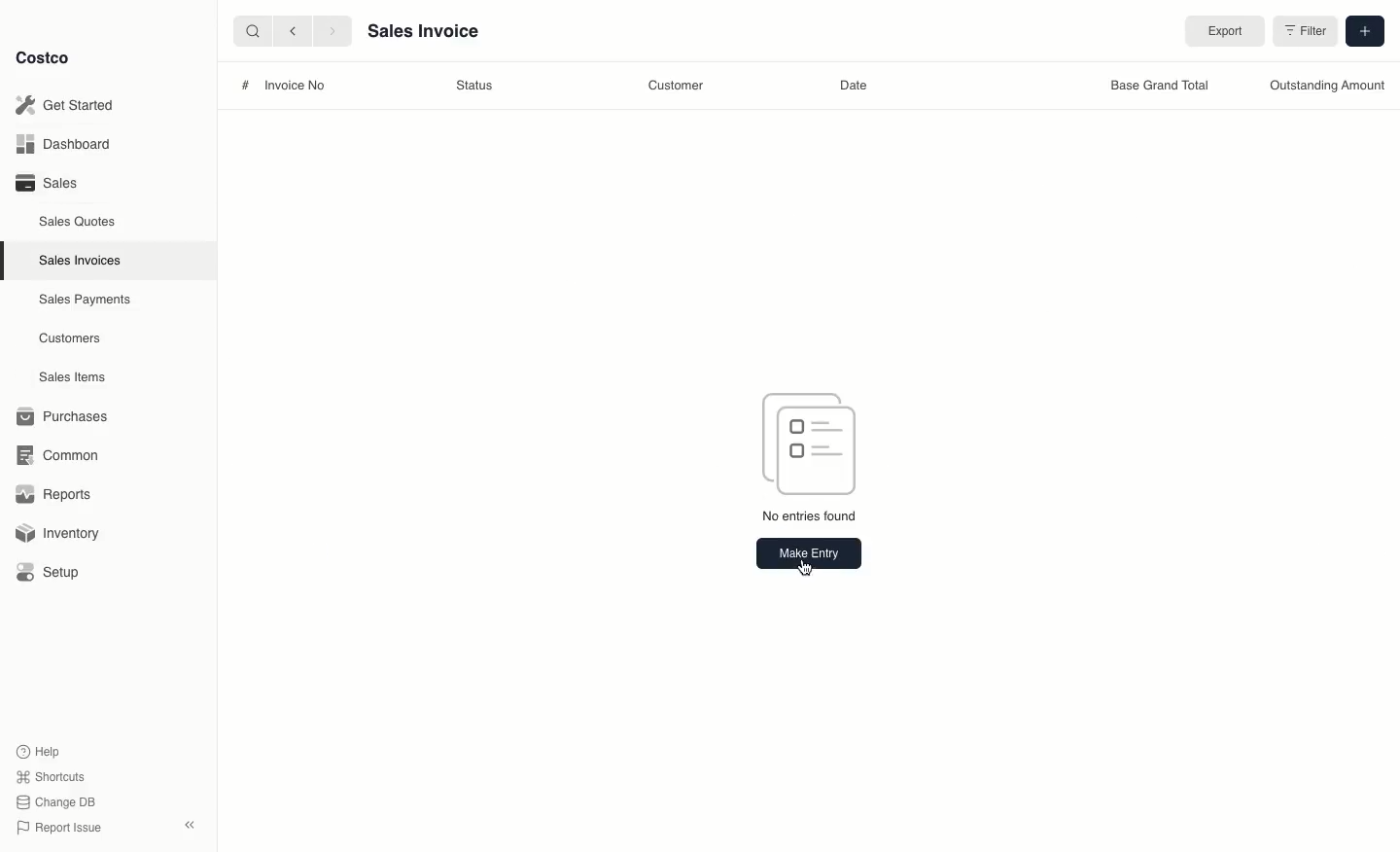  What do you see at coordinates (61, 531) in the screenshot?
I see `Inventory` at bounding box center [61, 531].